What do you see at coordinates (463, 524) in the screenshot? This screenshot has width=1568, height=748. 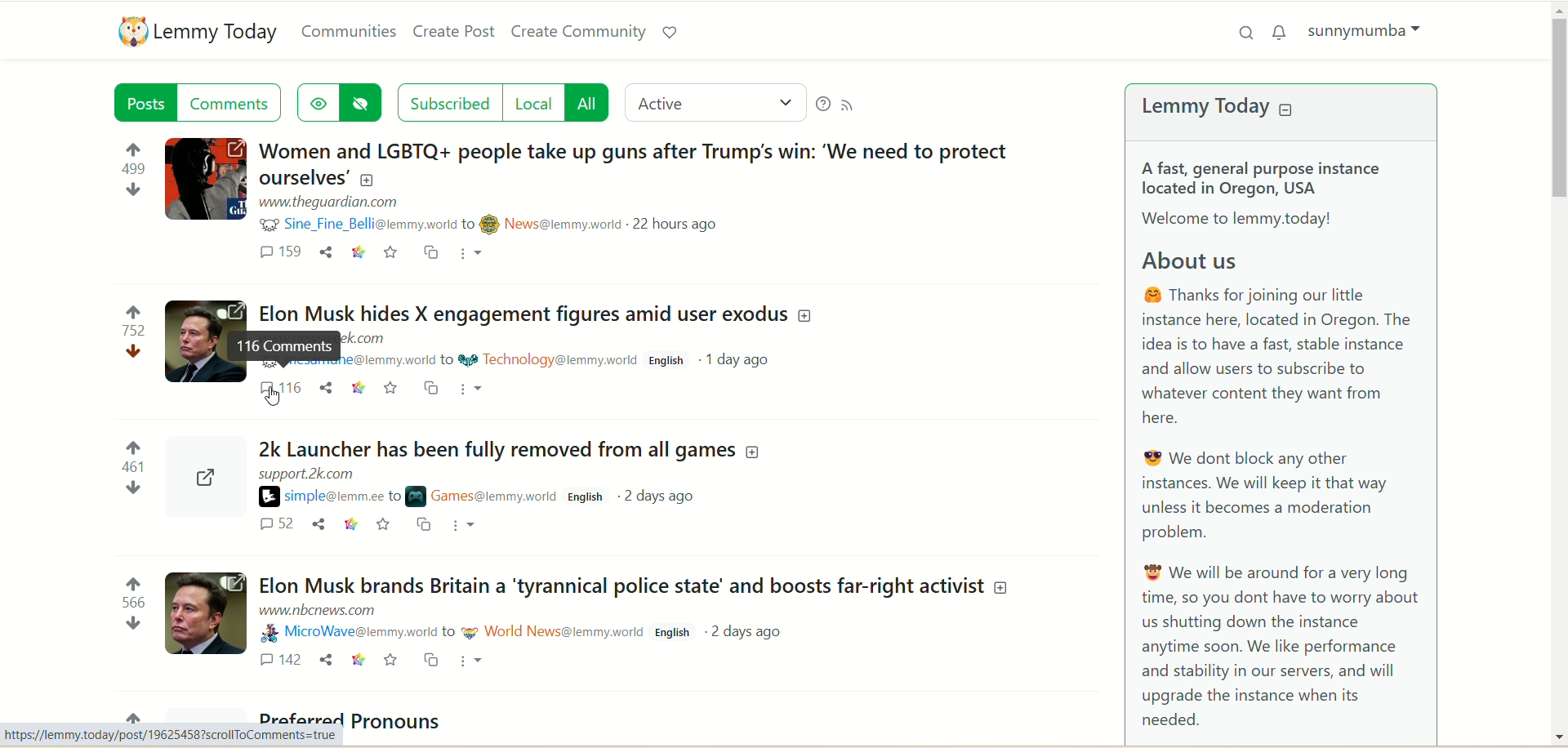 I see `more` at bounding box center [463, 524].